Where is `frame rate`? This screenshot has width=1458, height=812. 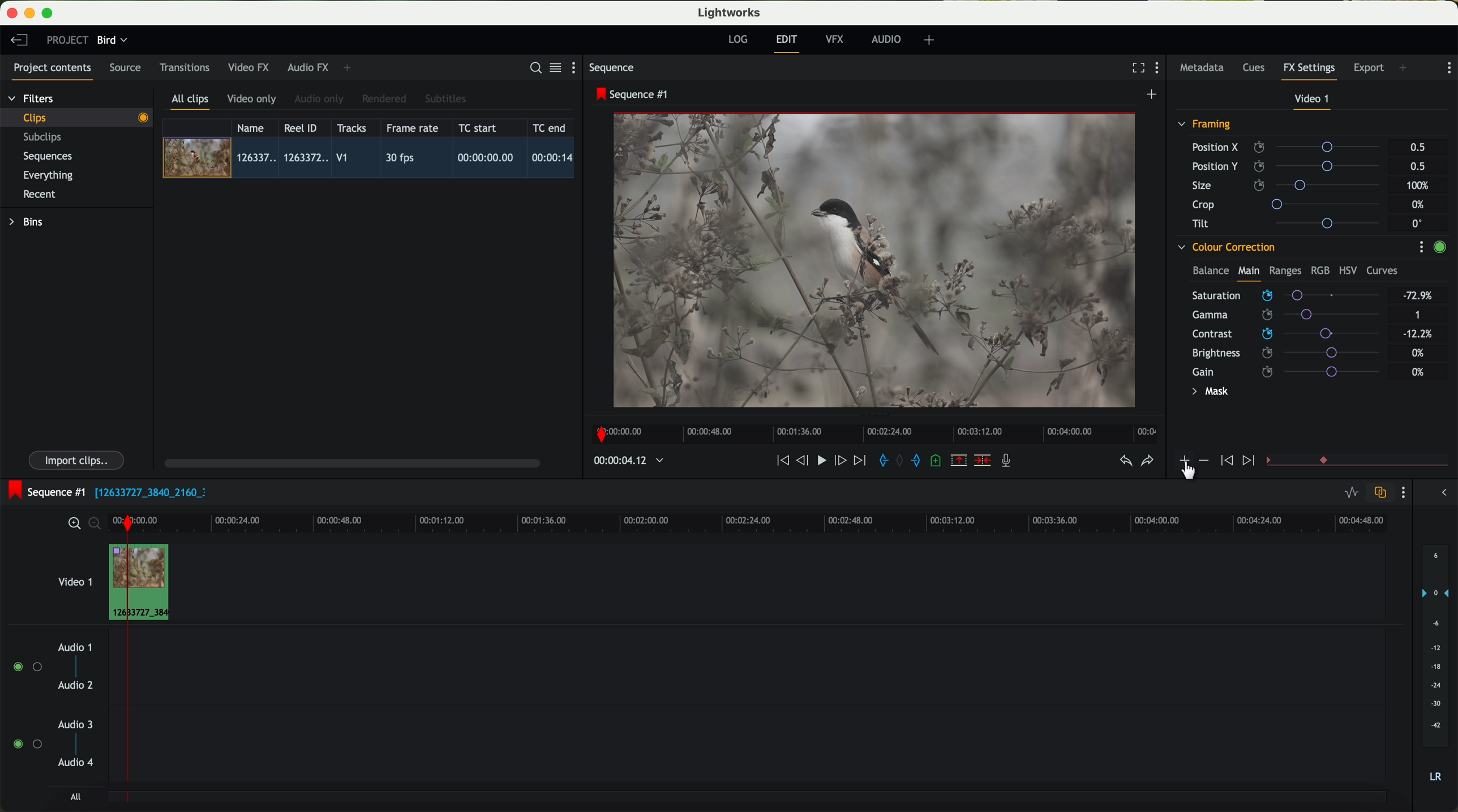 frame rate is located at coordinates (413, 128).